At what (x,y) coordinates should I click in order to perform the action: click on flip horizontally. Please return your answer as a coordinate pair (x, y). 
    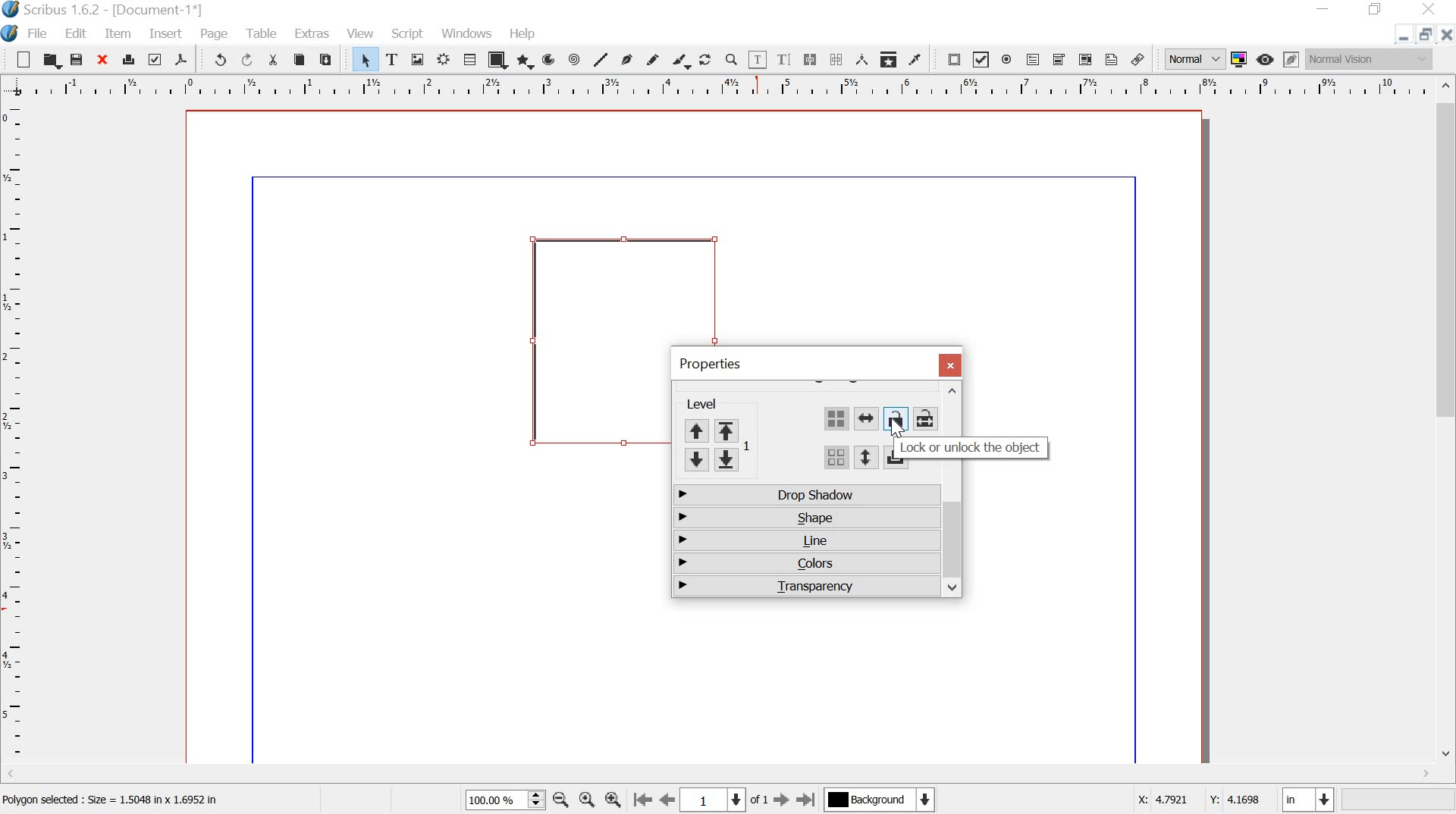
    Looking at the image, I should click on (867, 420).